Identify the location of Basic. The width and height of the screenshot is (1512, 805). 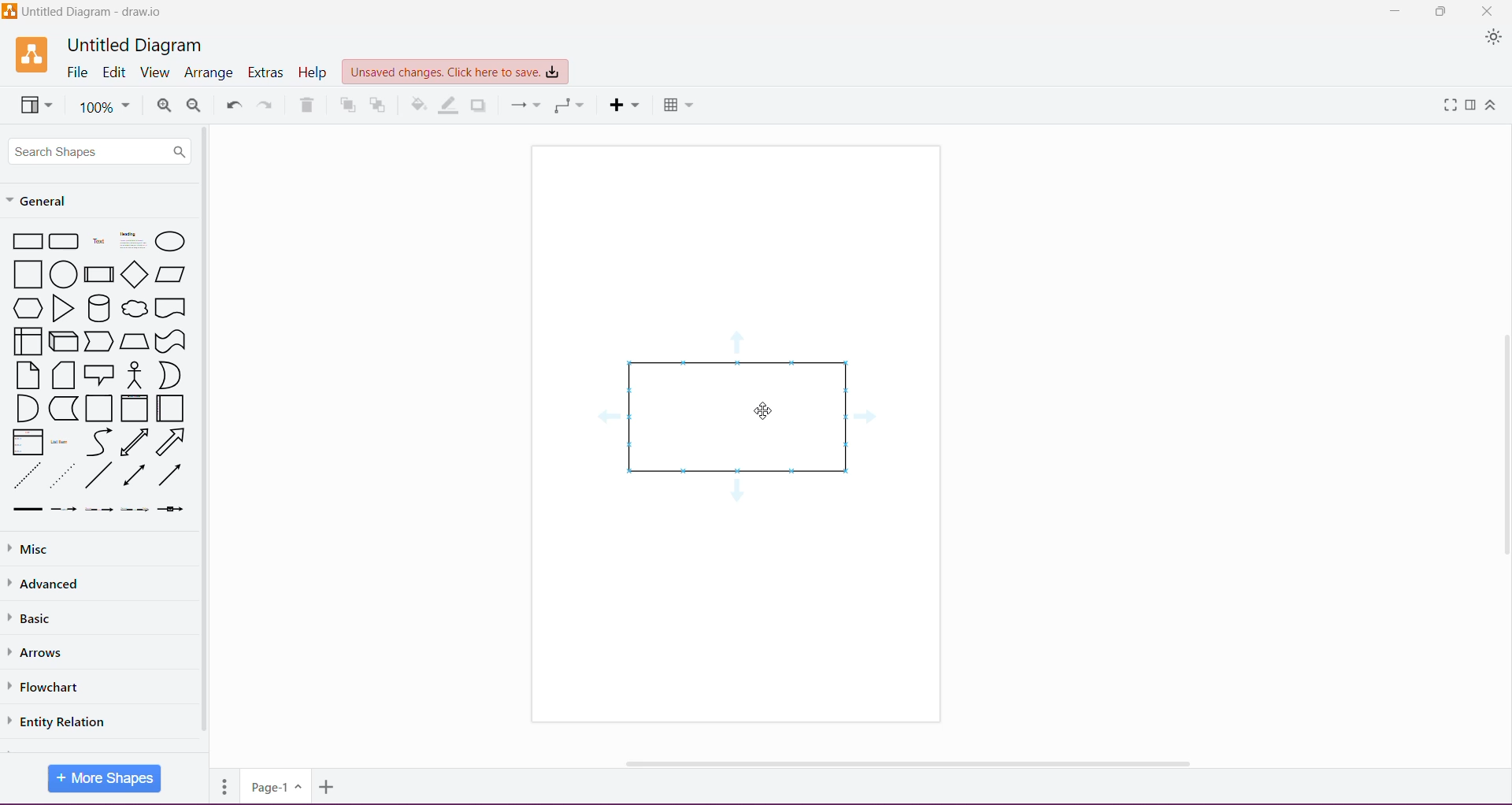
(34, 617).